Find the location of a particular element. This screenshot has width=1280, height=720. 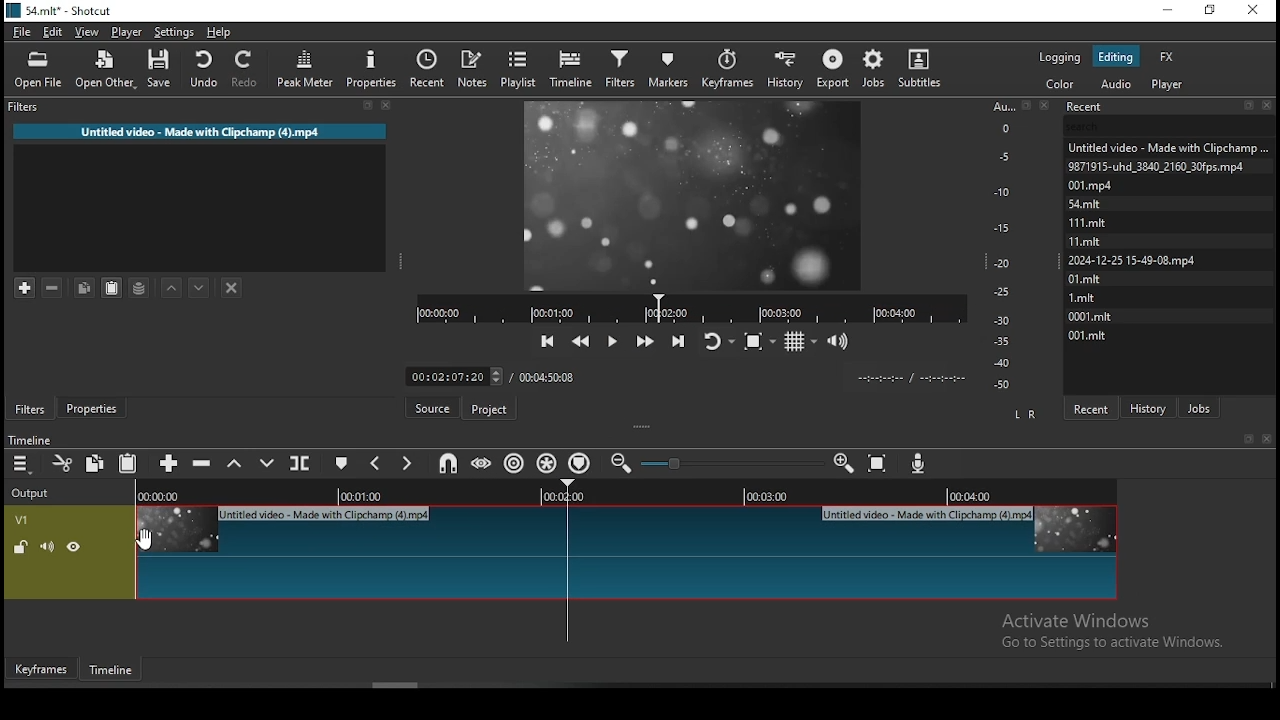

files is located at coordinates (1085, 280).